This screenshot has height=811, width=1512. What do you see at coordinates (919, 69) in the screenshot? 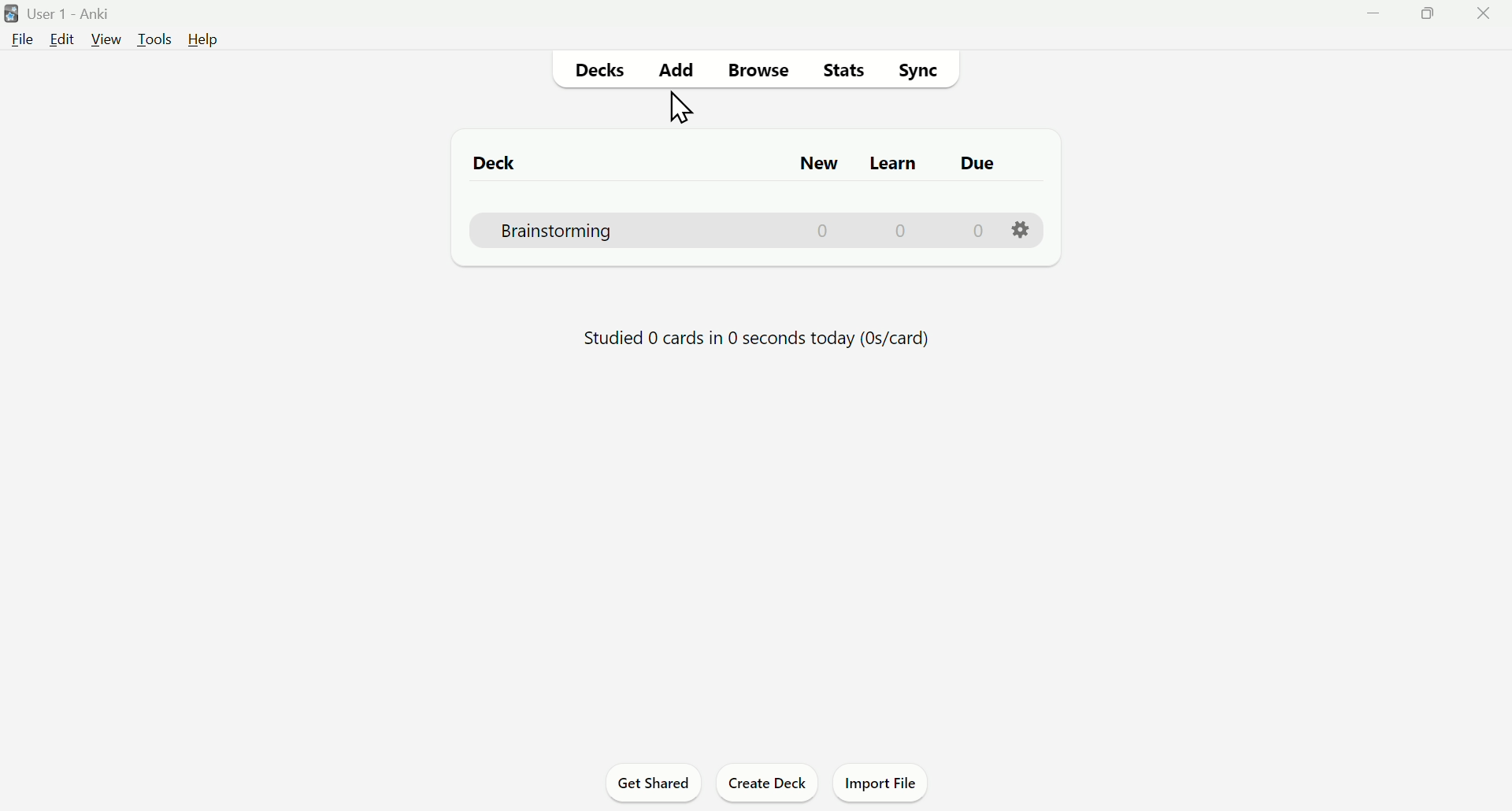
I see `Sync` at bounding box center [919, 69].